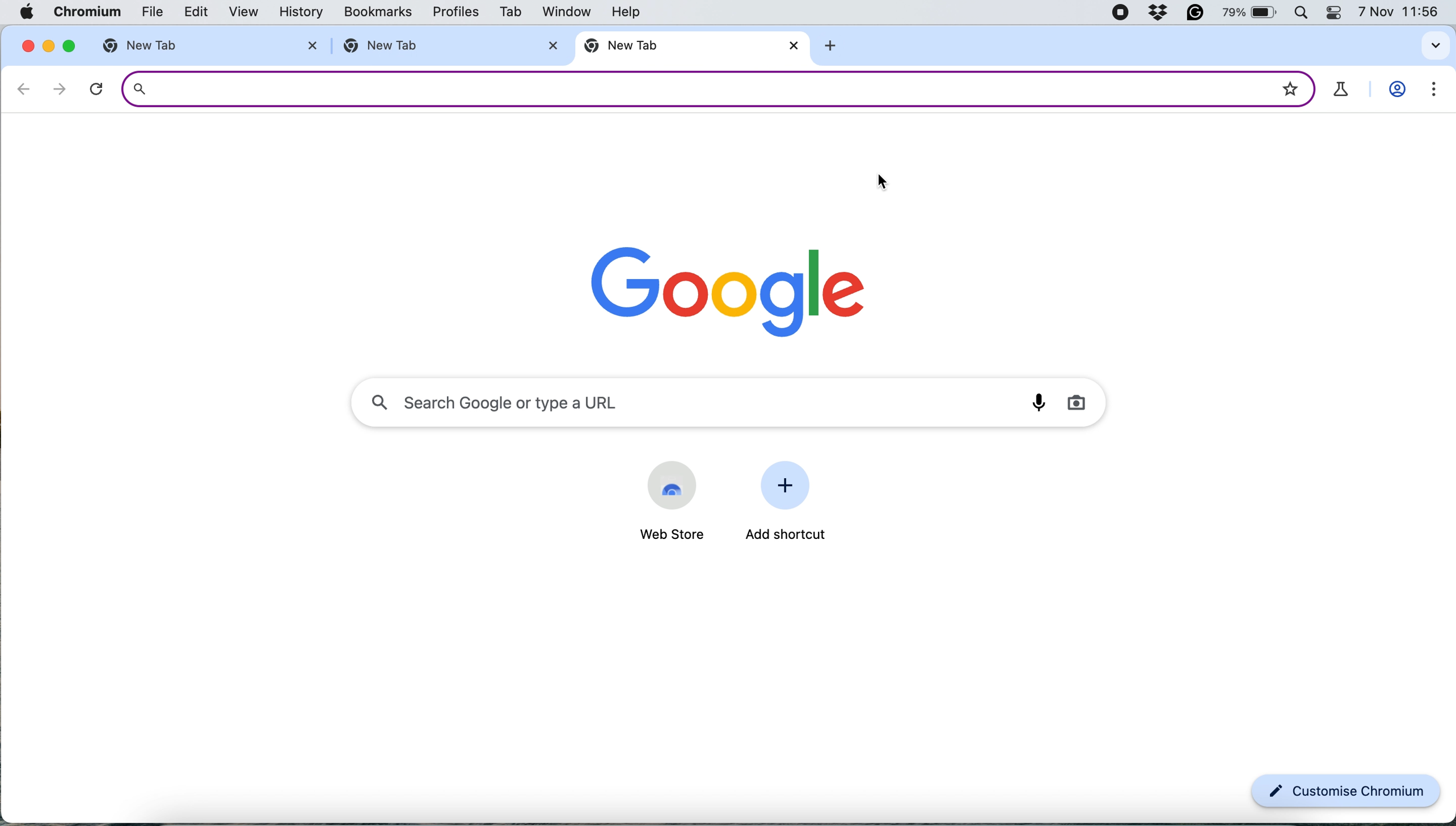  I want to click on add new tab, so click(835, 48).